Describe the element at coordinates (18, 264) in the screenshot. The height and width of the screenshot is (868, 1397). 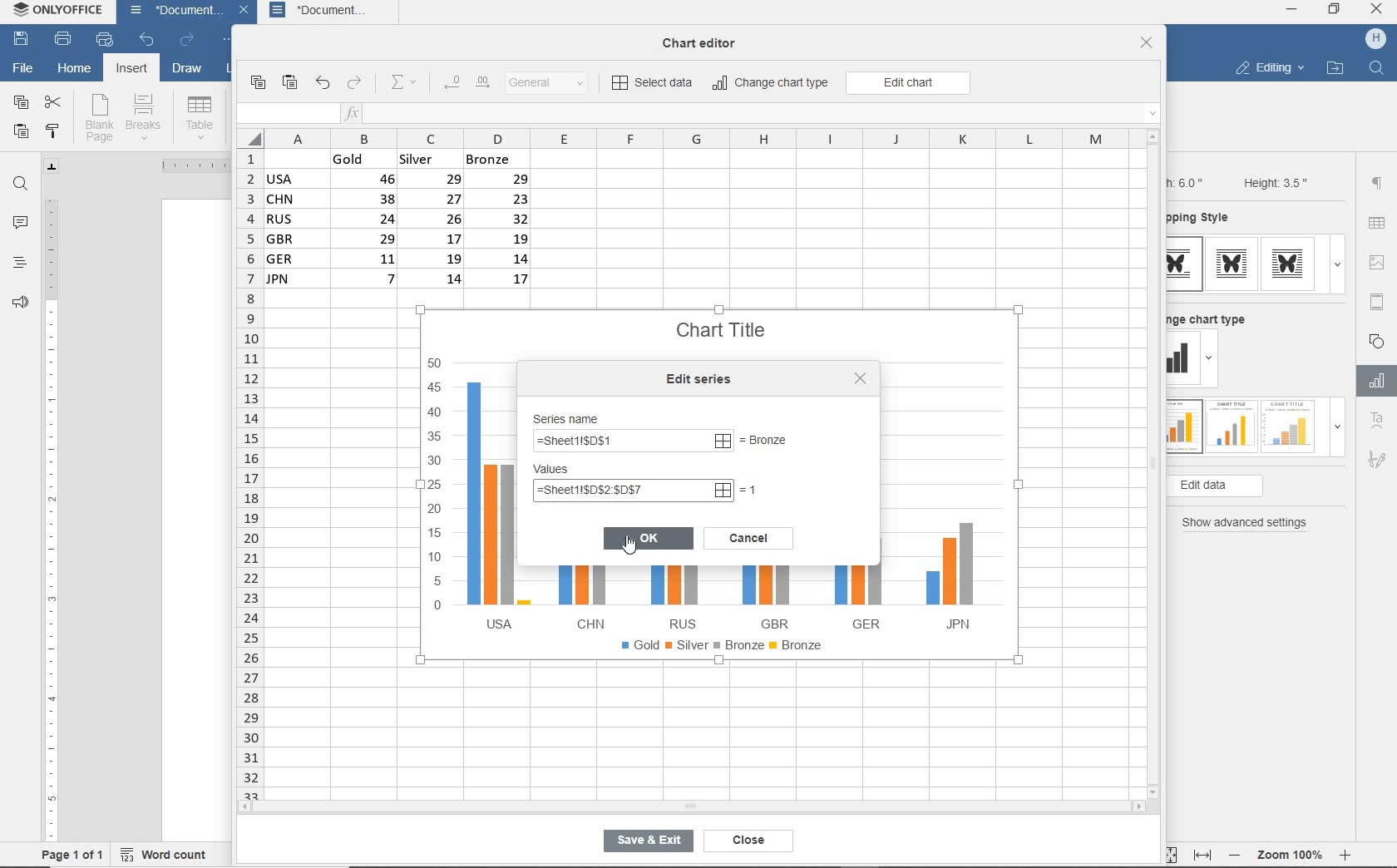
I see `headings` at that location.